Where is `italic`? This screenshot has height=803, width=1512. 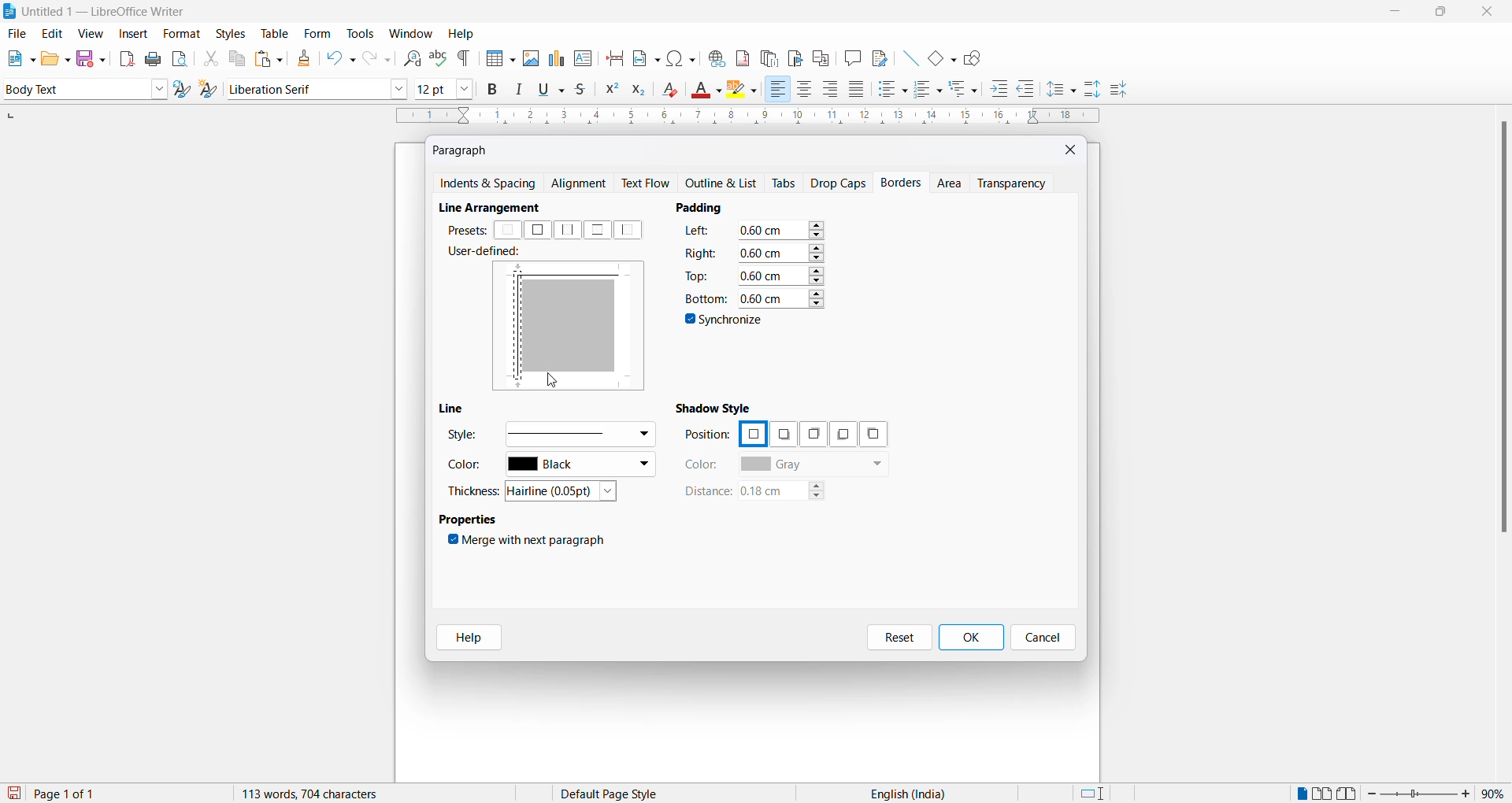
italic is located at coordinates (522, 90).